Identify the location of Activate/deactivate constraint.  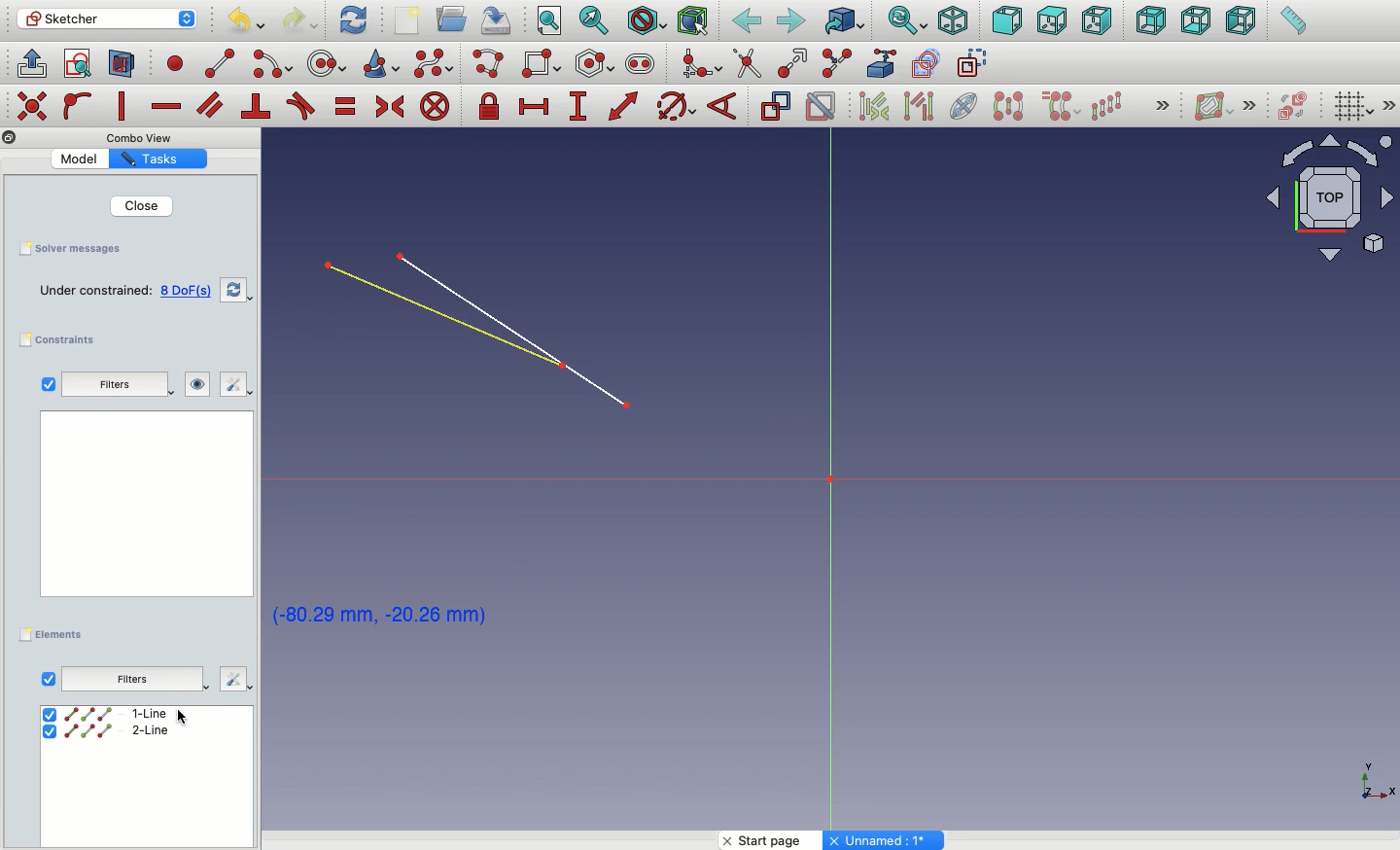
(822, 106).